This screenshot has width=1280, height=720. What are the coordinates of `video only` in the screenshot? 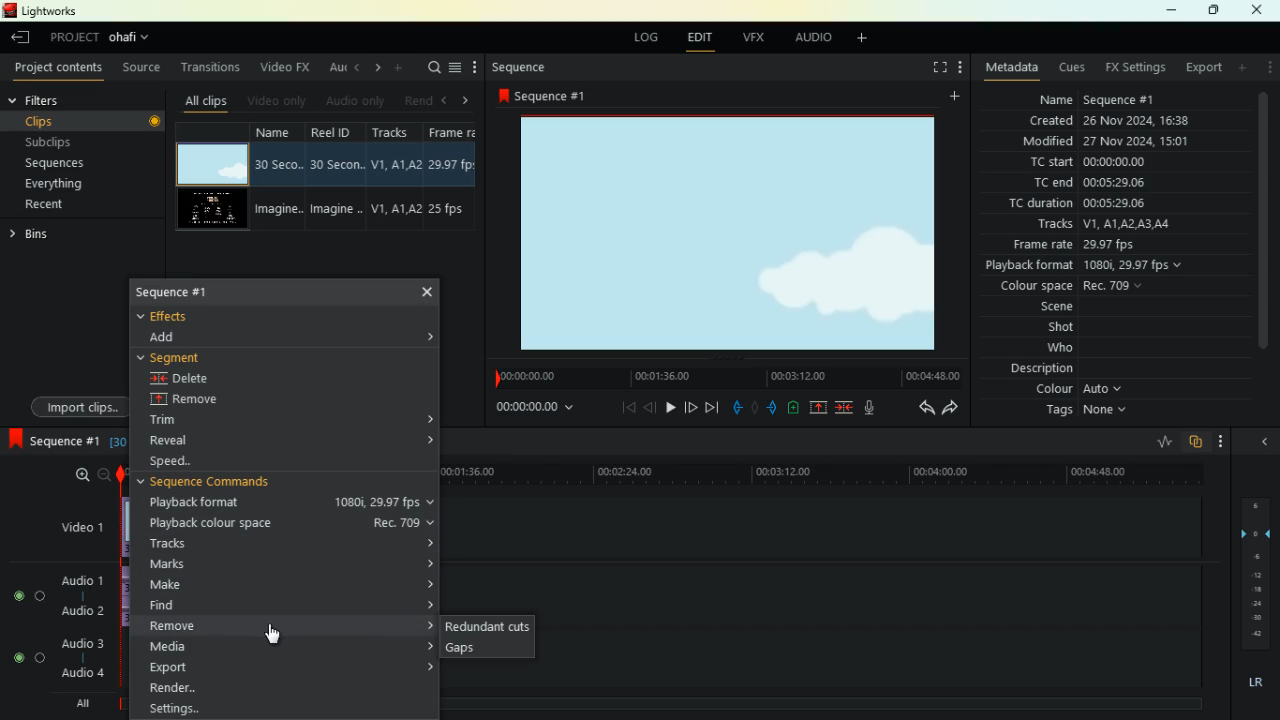 It's located at (278, 100).